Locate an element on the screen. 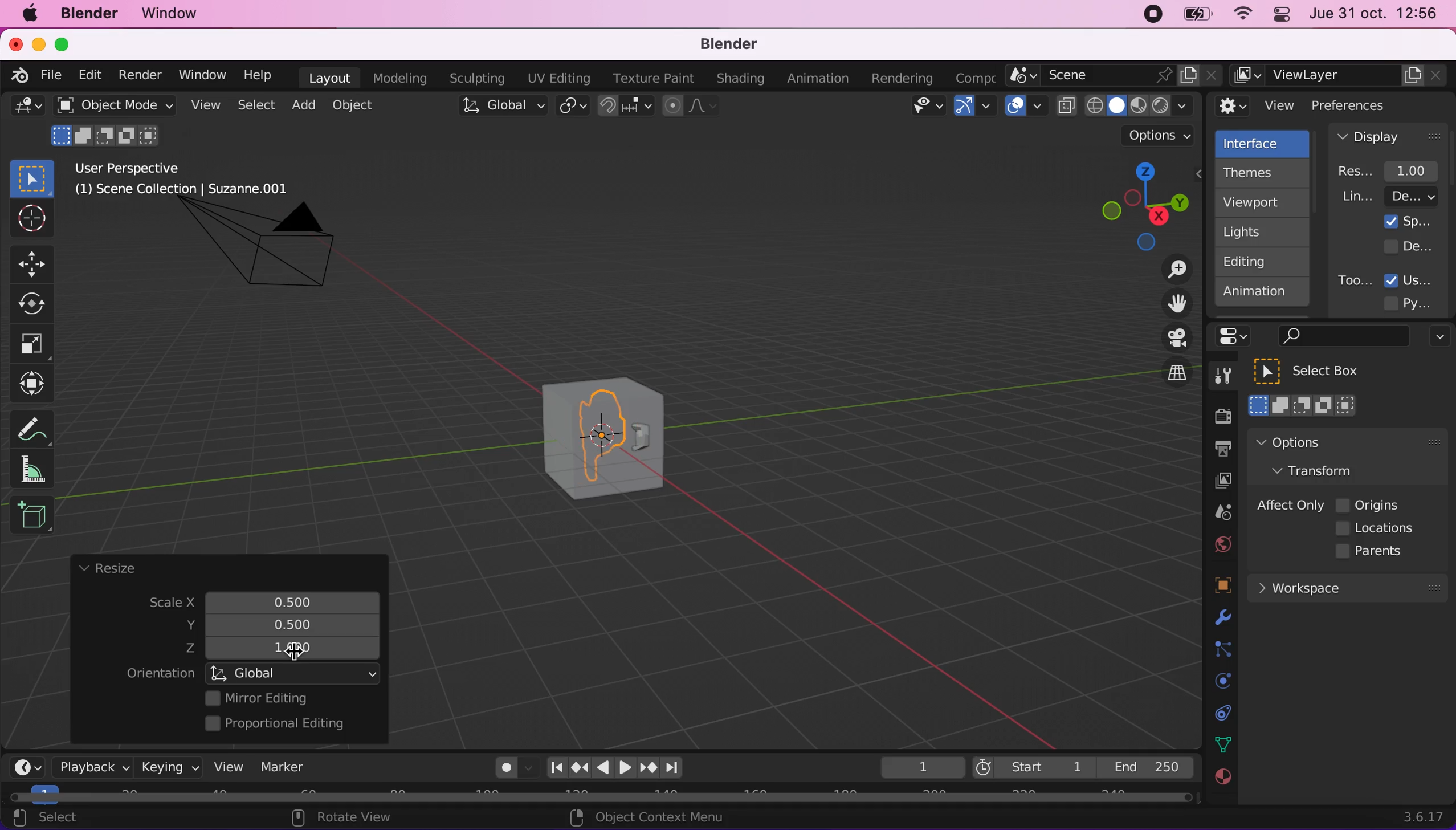  select box is located at coordinates (1321, 371).